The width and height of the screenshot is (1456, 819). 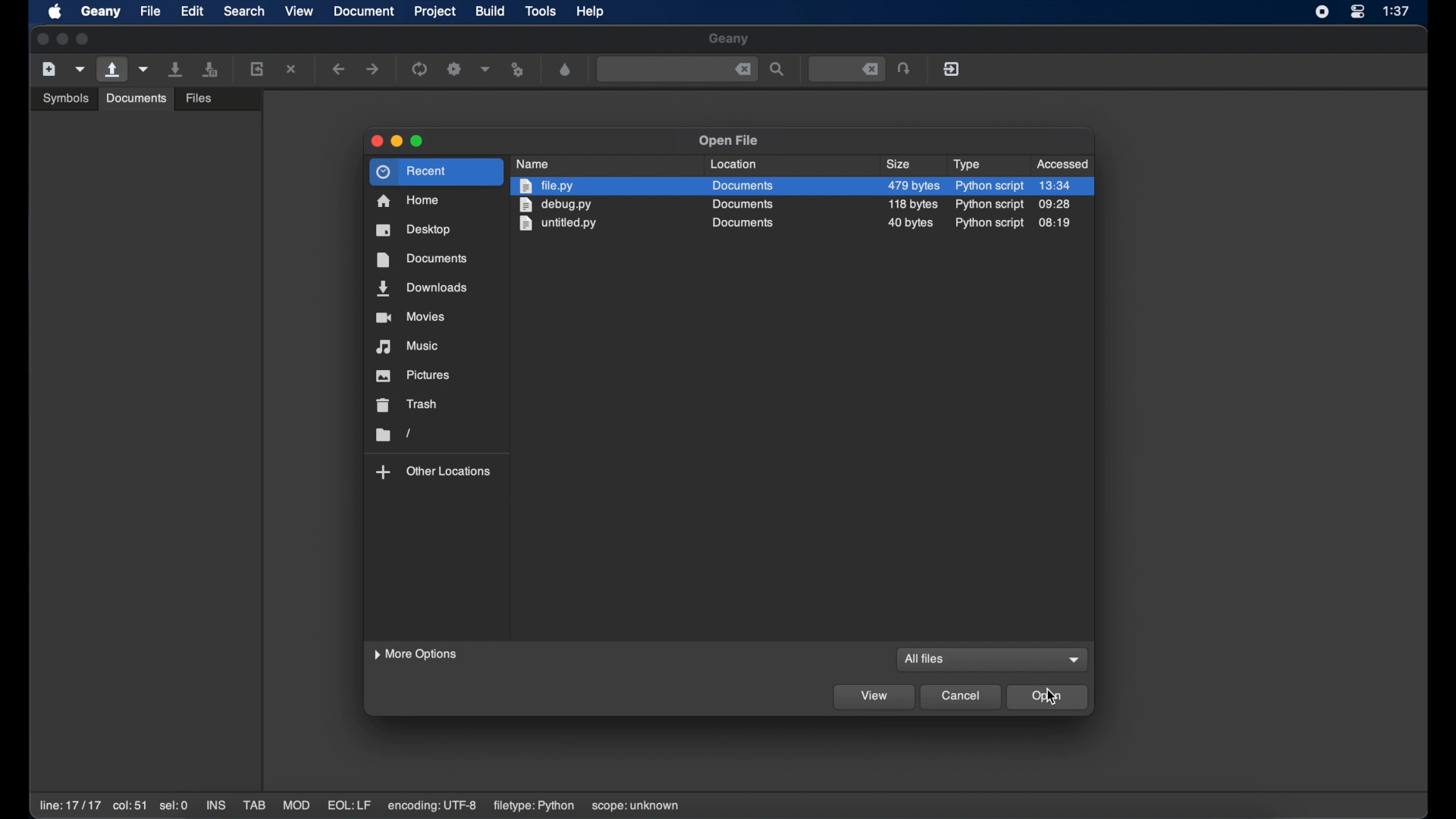 I want to click on untitled.py, so click(x=560, y=224).